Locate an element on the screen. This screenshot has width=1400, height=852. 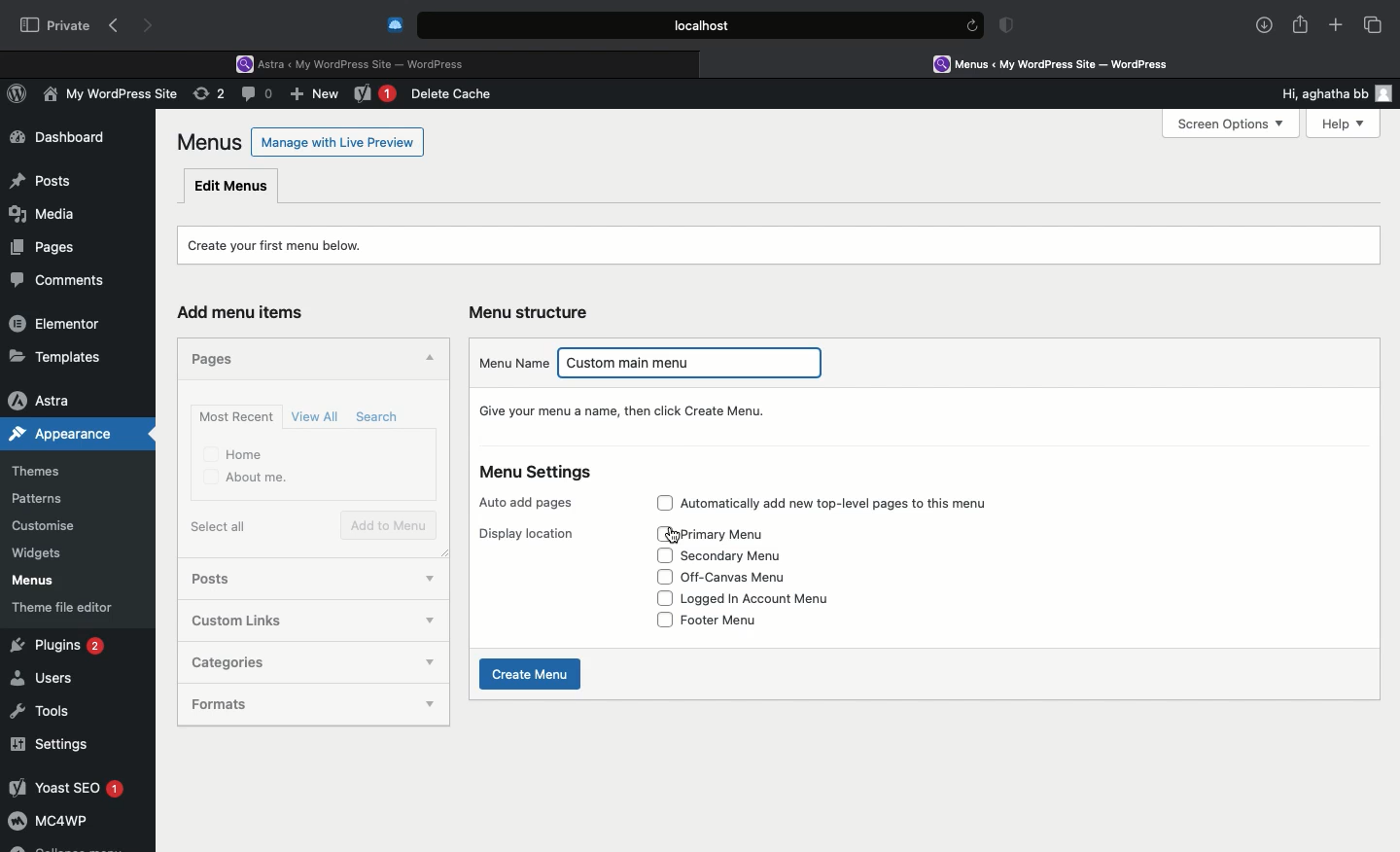
Footer menu is located at coordinates (736, 620).